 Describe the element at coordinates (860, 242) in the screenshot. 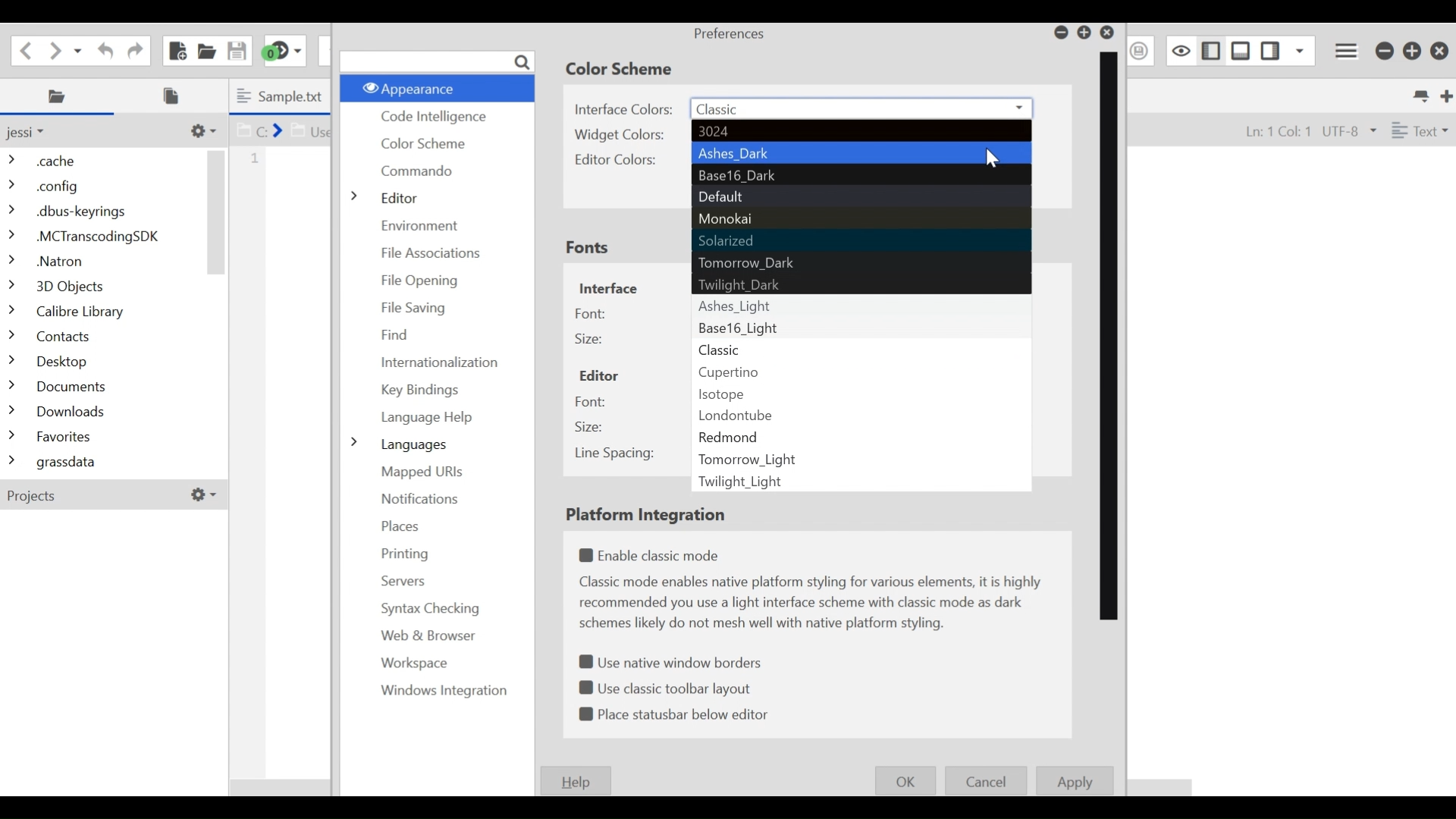

I see `Solarized` at that location.